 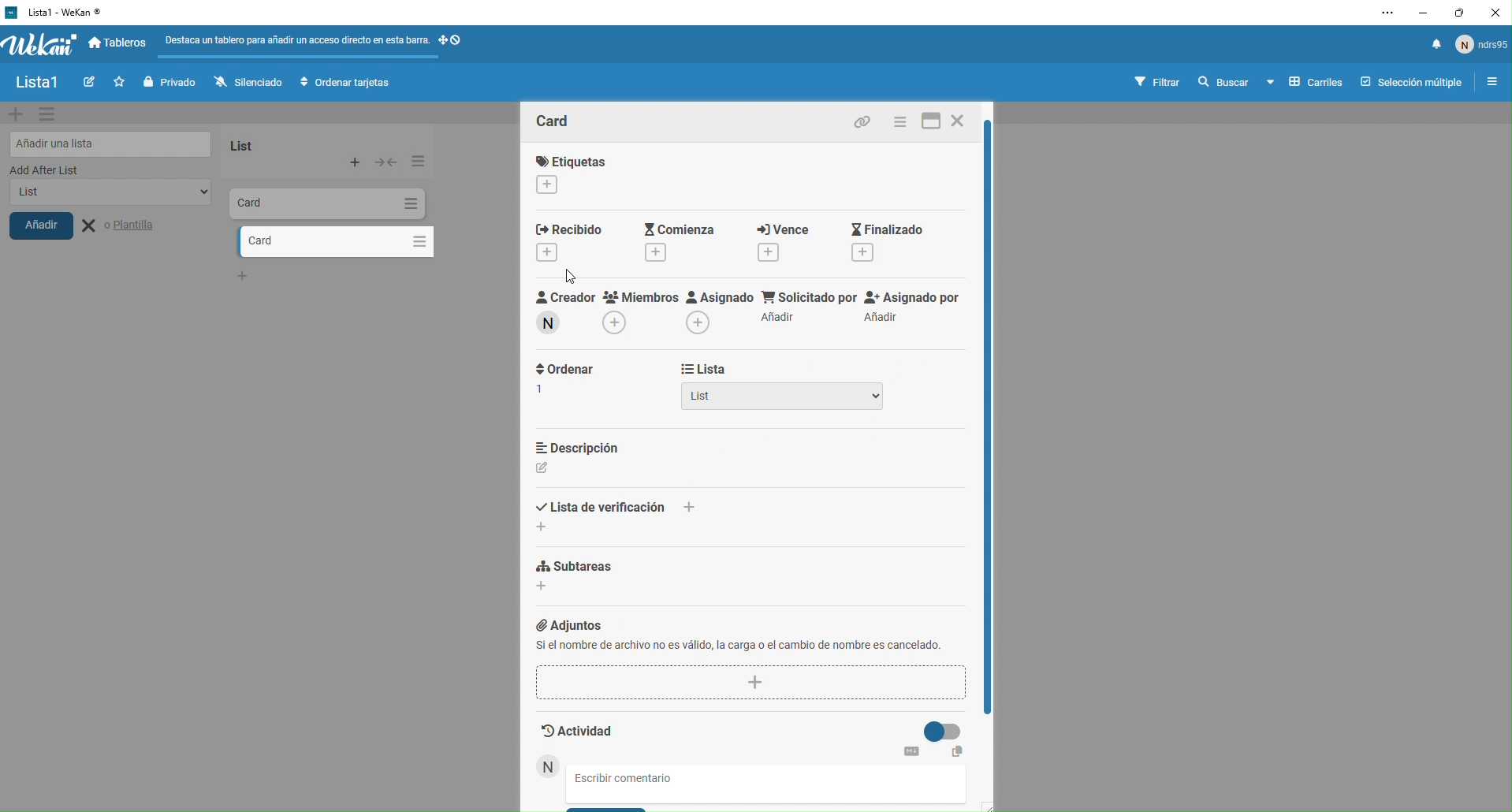 I want to click on Escribir comentario, so click(x=639, y=779).